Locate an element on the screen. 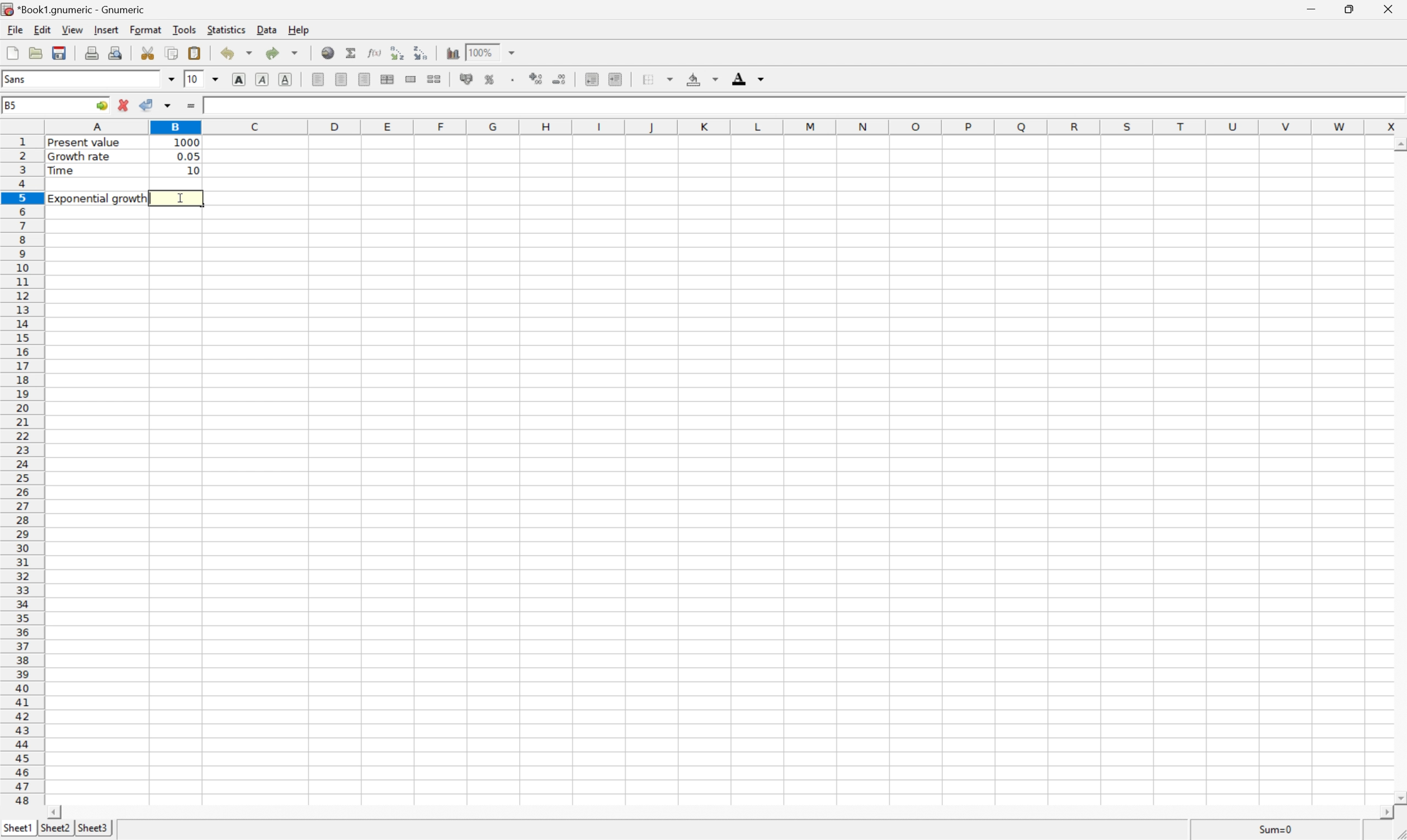 This screenshot has width=1407, height=840. Scroll Up is located at coordinates (1397, 146).